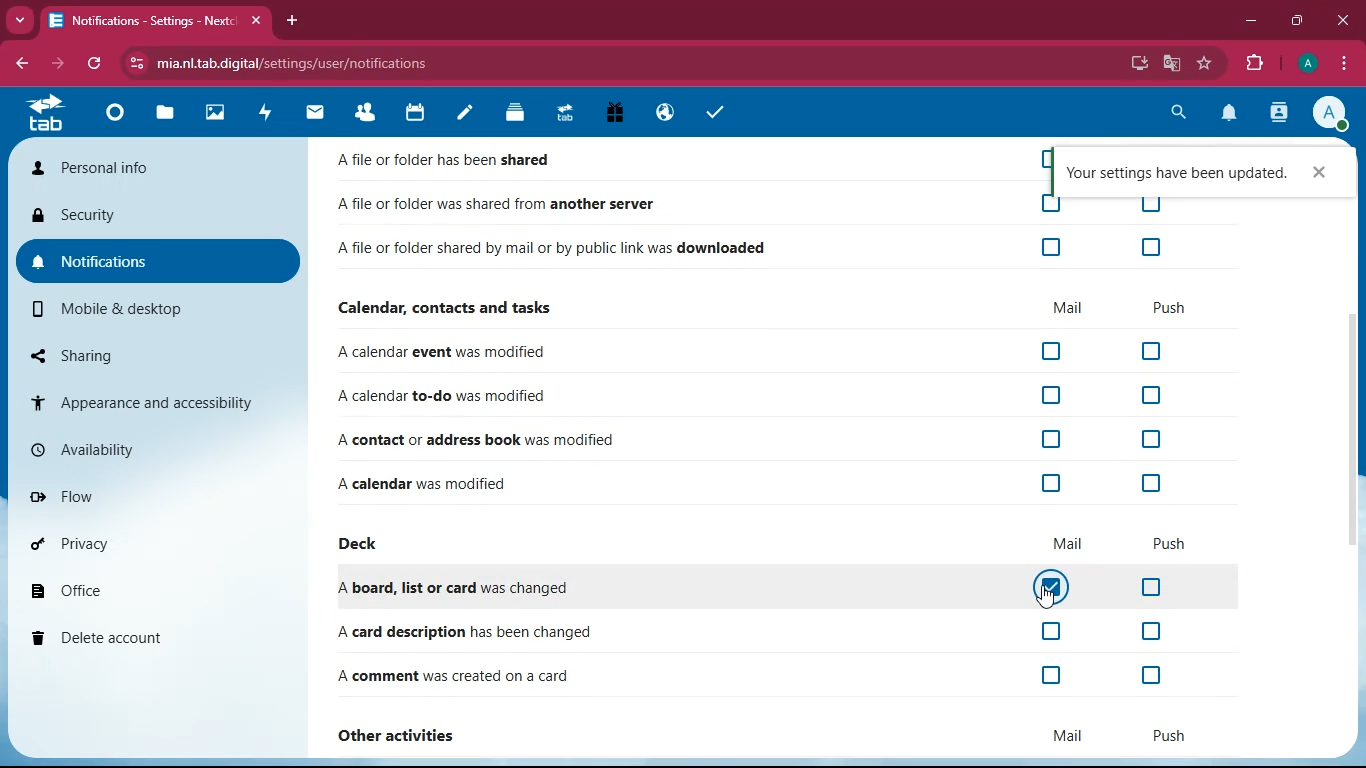 This screenshot has height=768, width=1366. I want to click on Email Hosting, so click(666, 115).